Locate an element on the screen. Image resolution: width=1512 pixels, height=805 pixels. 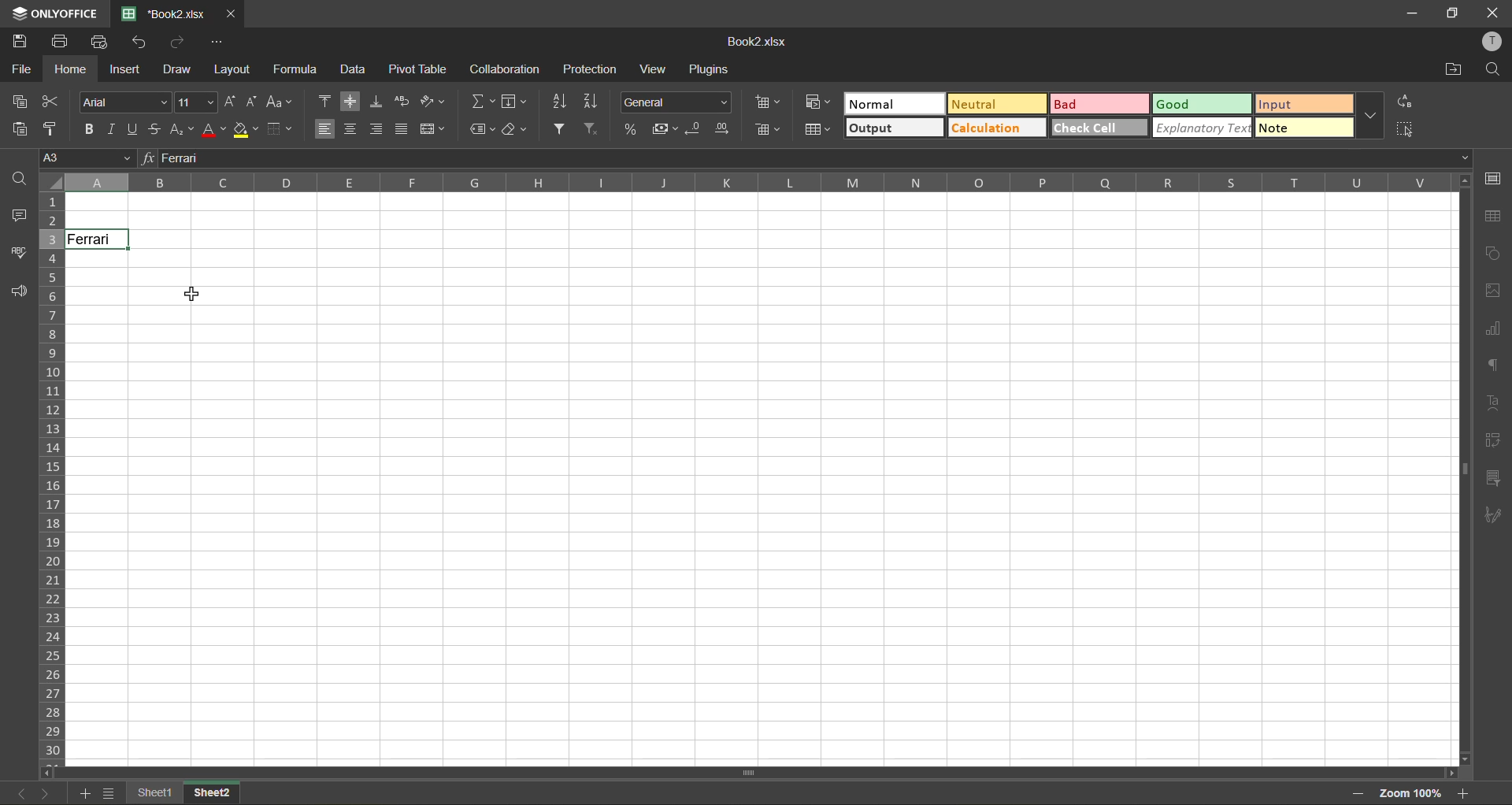
save is located at coordinates (16, 41).